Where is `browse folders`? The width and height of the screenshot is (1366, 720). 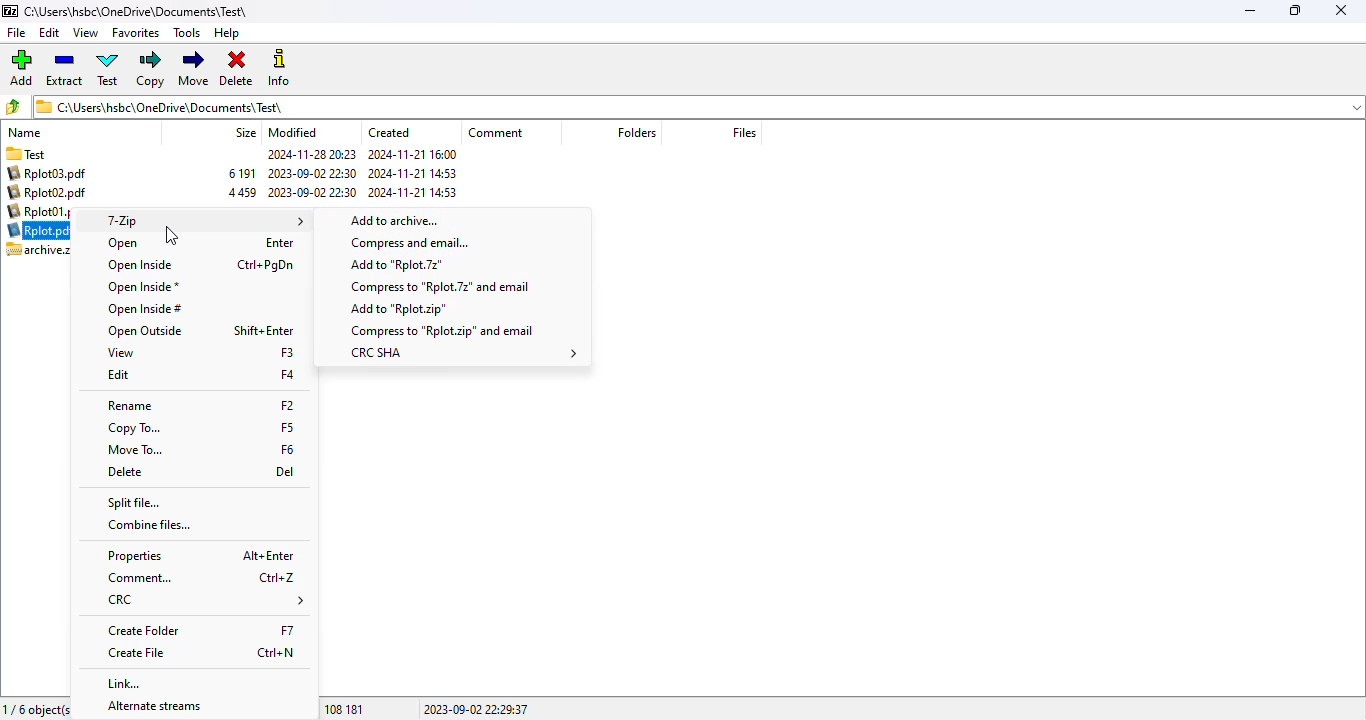
browse folders is located at coordinates (13, 106).